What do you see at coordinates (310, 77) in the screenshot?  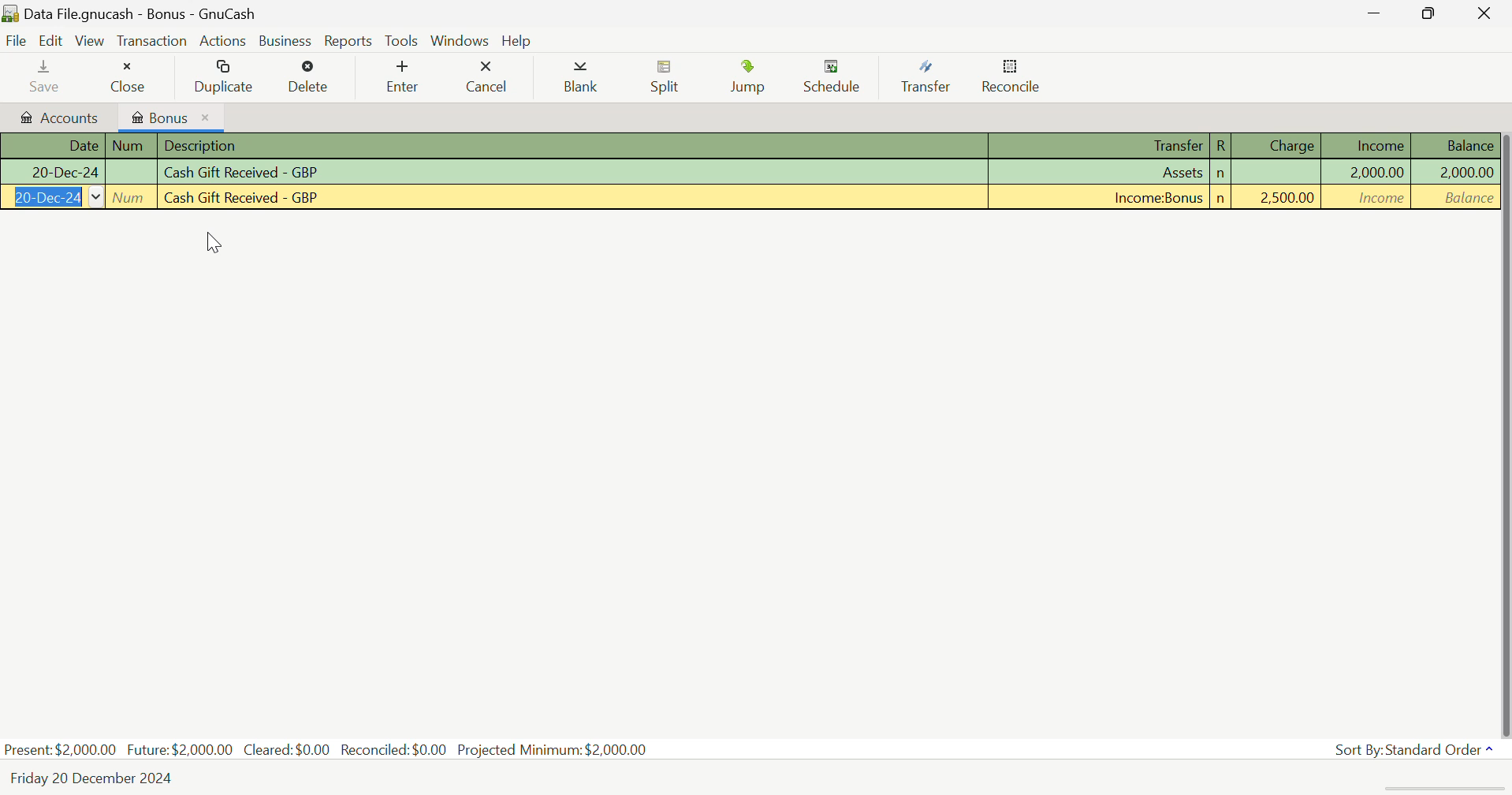 I see `Delete ` at bounding box center [310, 77].